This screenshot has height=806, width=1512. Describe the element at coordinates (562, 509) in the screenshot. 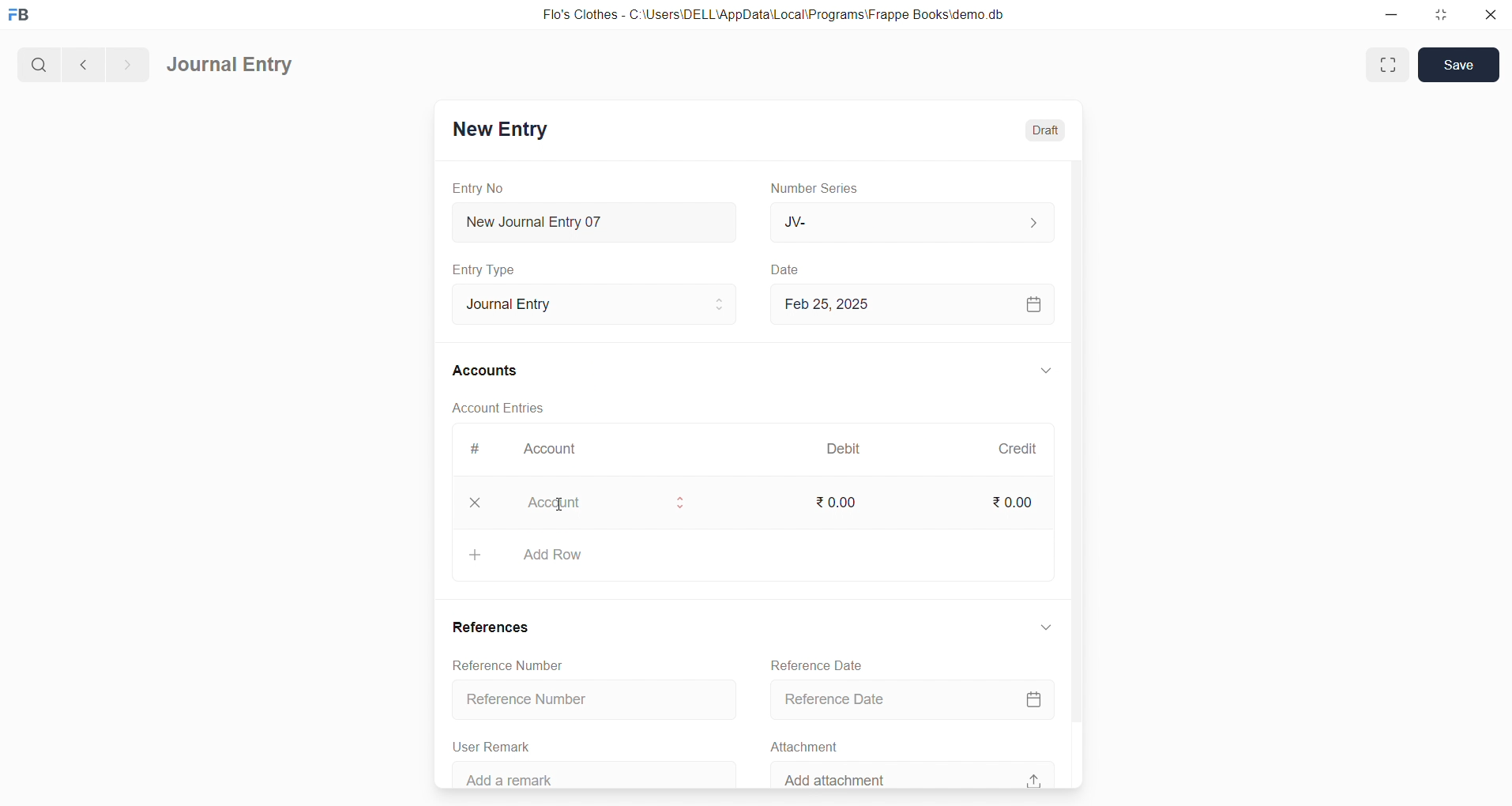

I see `cursor` at that location.